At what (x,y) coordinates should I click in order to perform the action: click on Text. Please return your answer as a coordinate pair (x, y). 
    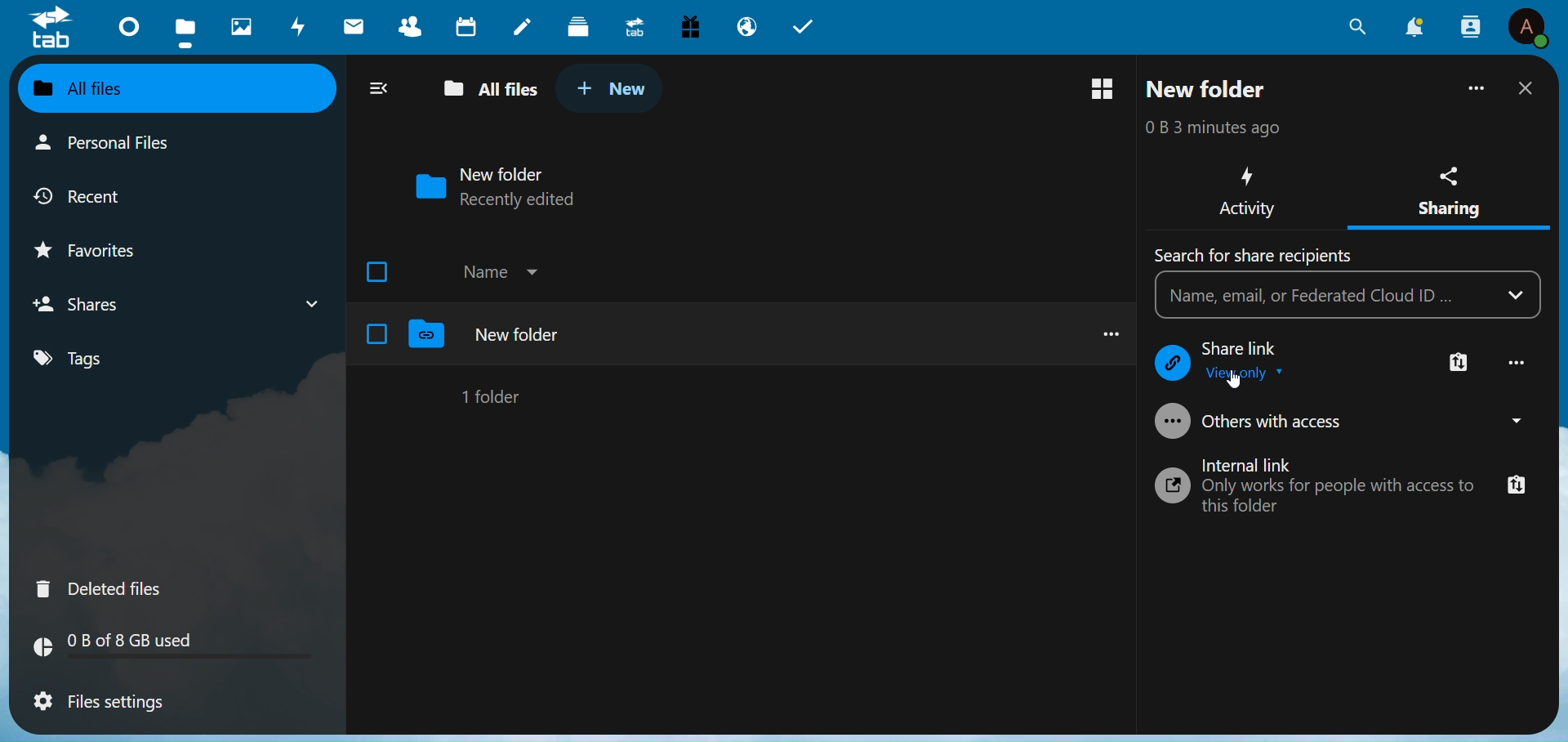
    Looking at the image, I should click on (1247, 348).